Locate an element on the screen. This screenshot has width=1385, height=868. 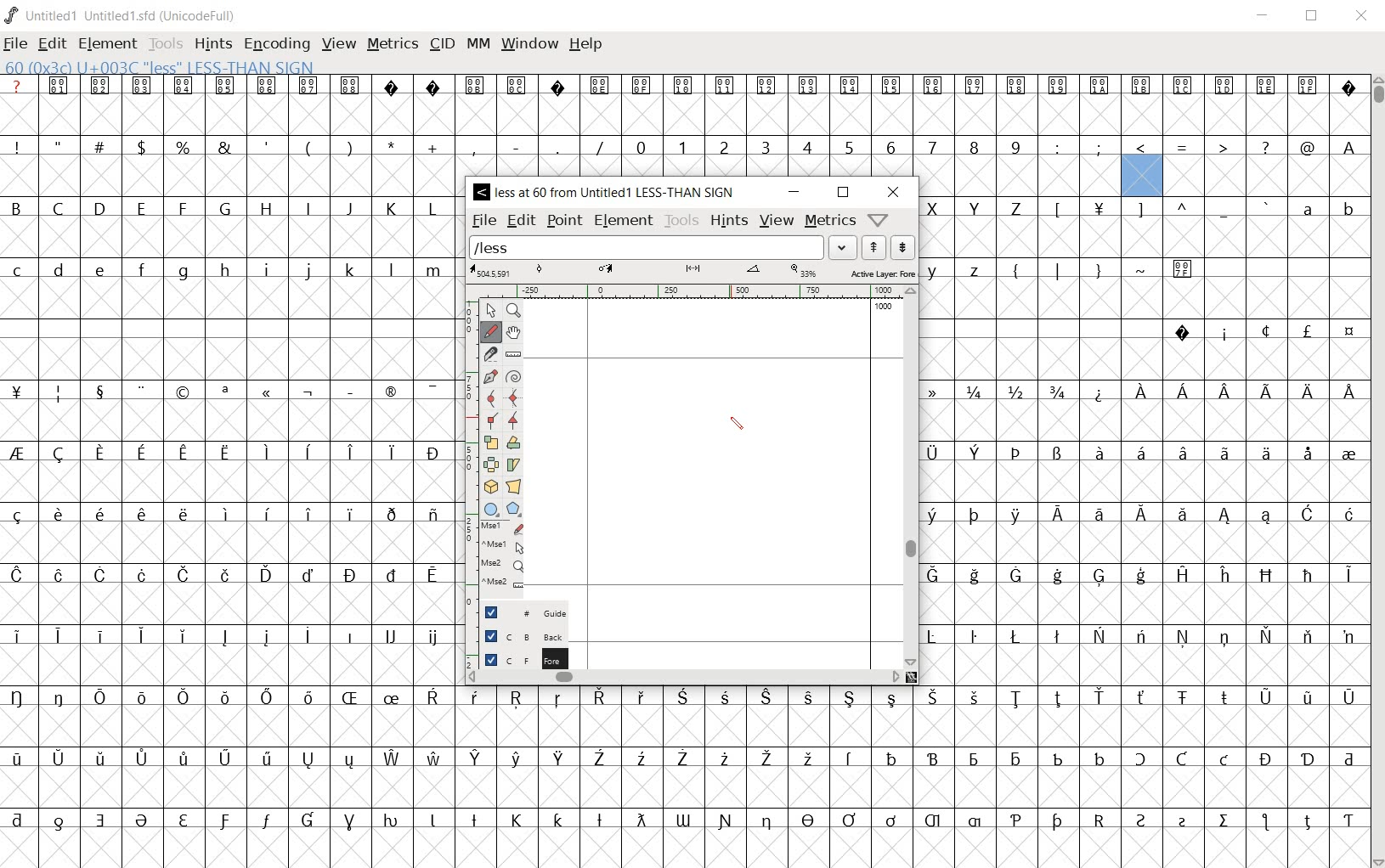
special letters is located at coordinates (1142, 449).